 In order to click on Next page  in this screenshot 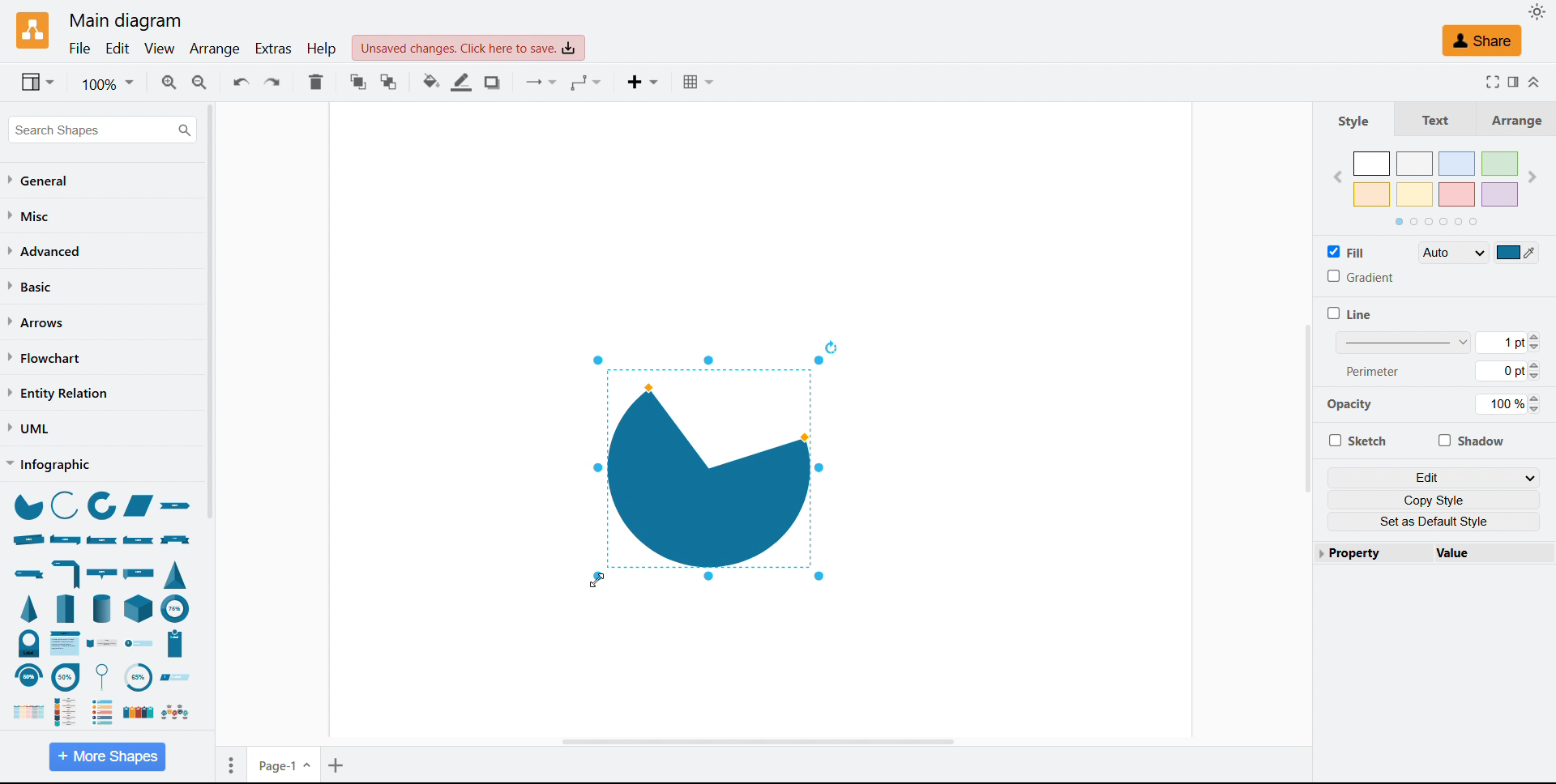, I will do `click(1532, 177)`.